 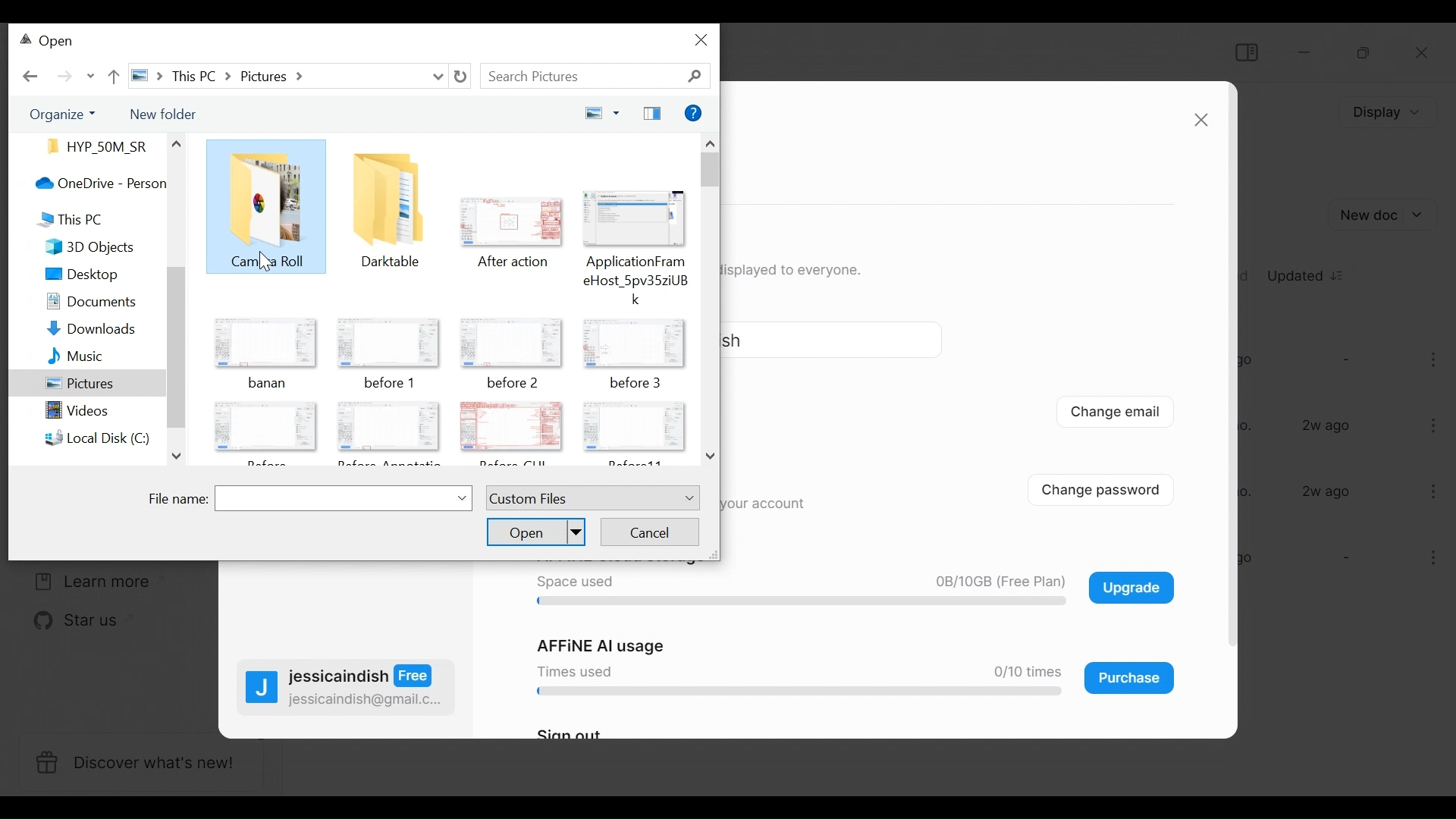 I want to click on more options, so click(x=1427, y=560).